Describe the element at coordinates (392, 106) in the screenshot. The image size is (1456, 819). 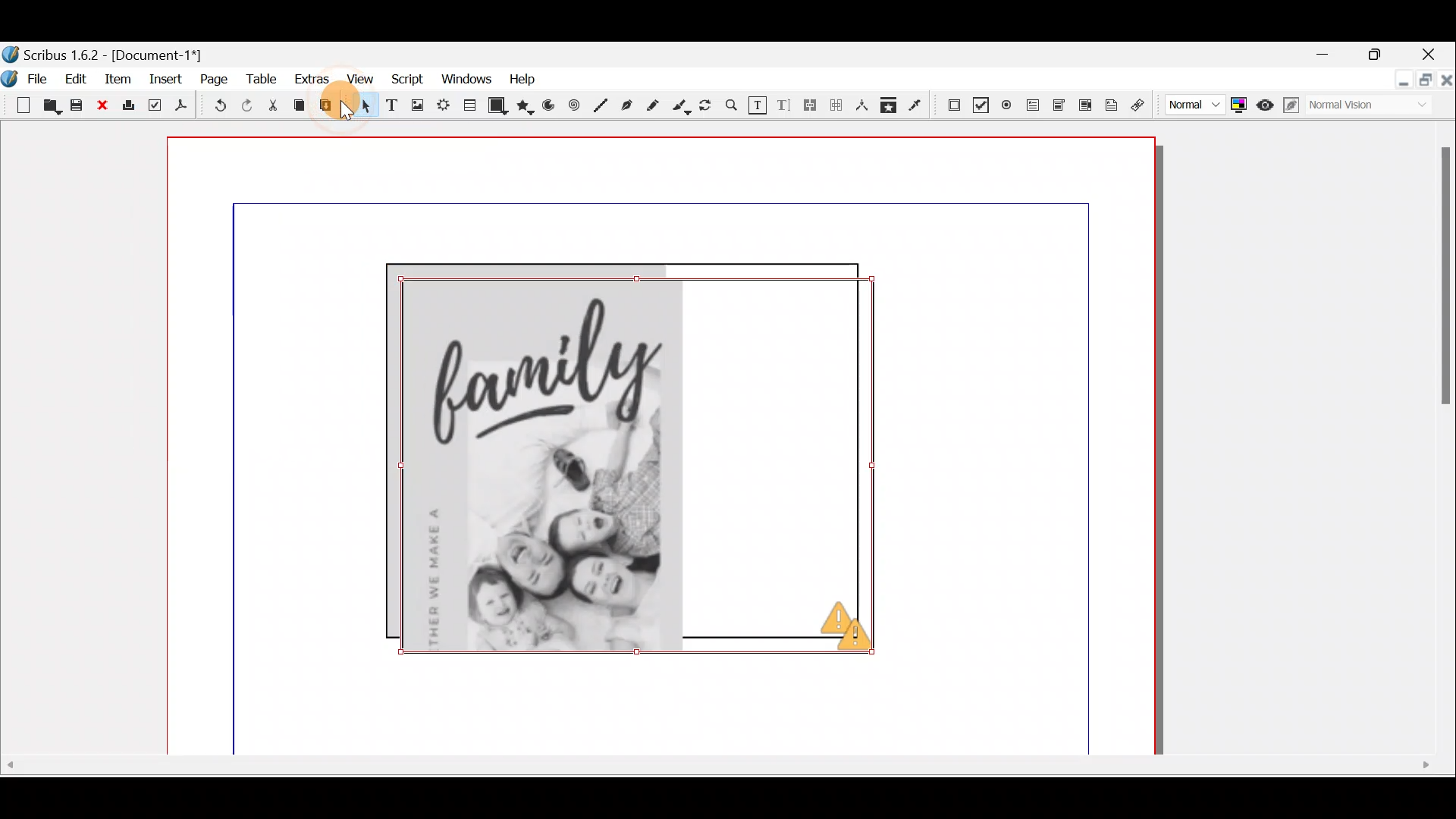
I see `Text frame` at that location.